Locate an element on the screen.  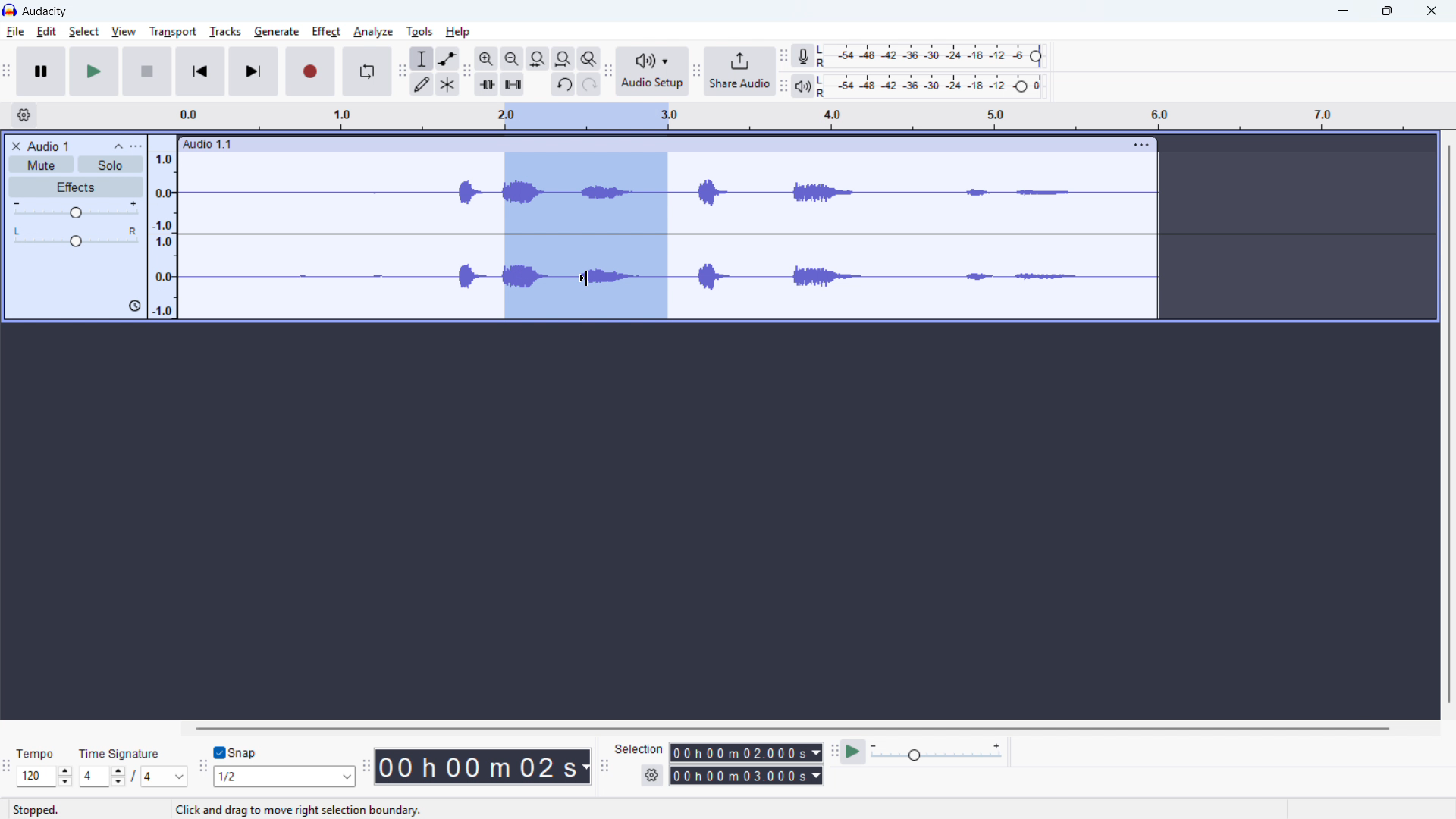
Time signature toolbar  is located at coordinates (8, 766).